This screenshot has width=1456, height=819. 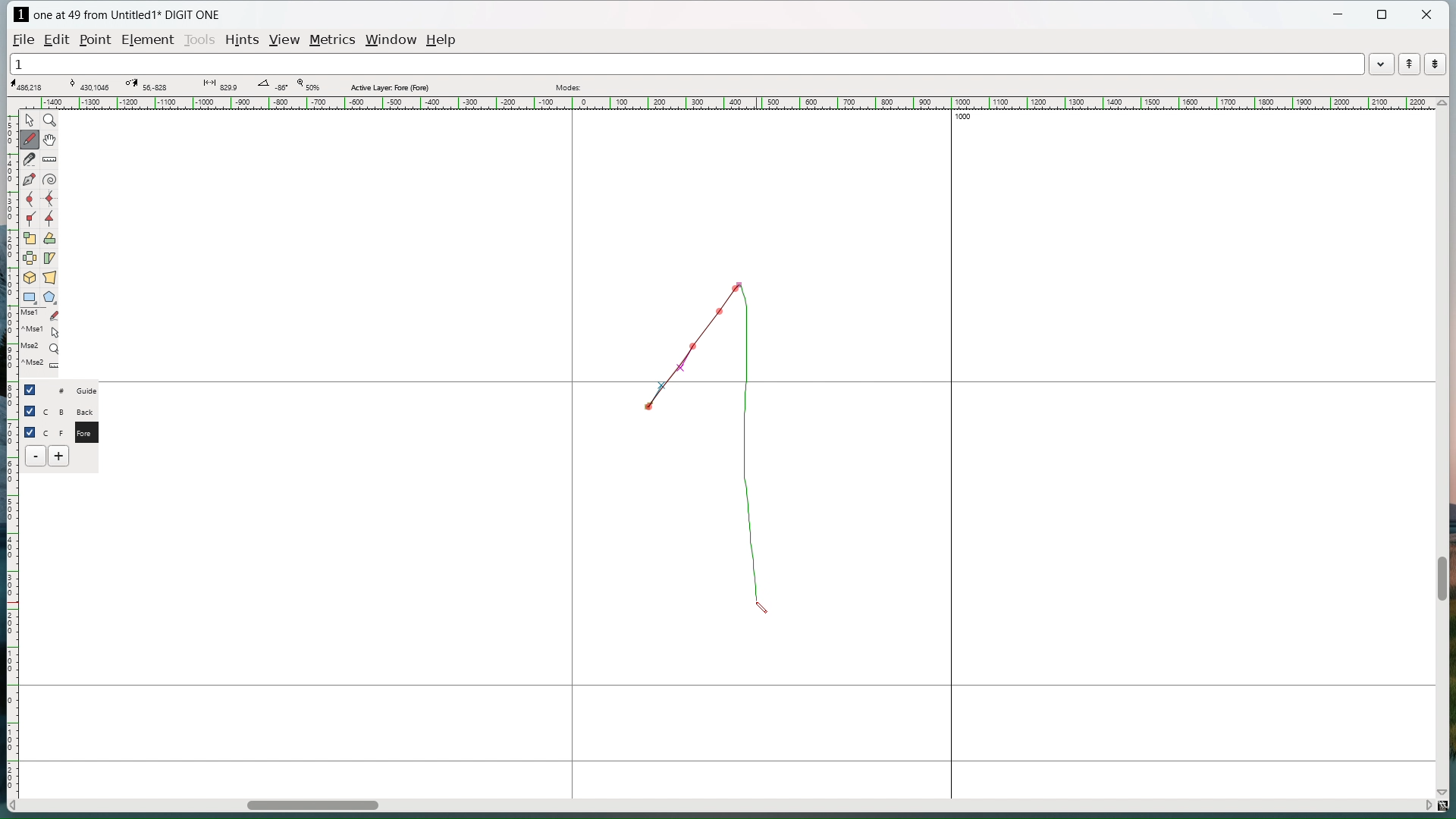 I want to click on horizontal scrollbar, so click(x=312, y=808).